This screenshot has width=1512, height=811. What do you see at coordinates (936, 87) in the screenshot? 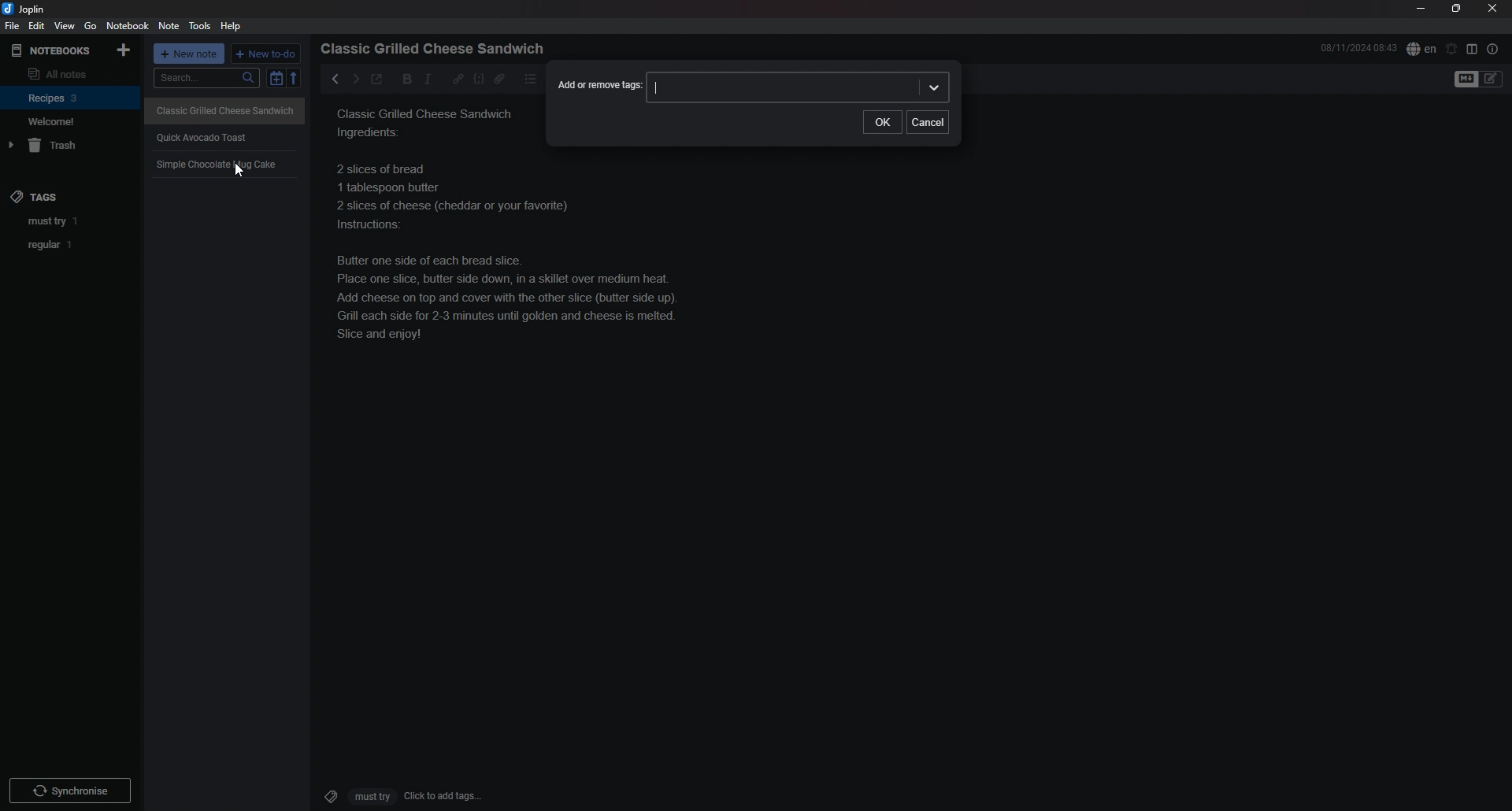
I see `Drop down` at bounding box center [936, 87].